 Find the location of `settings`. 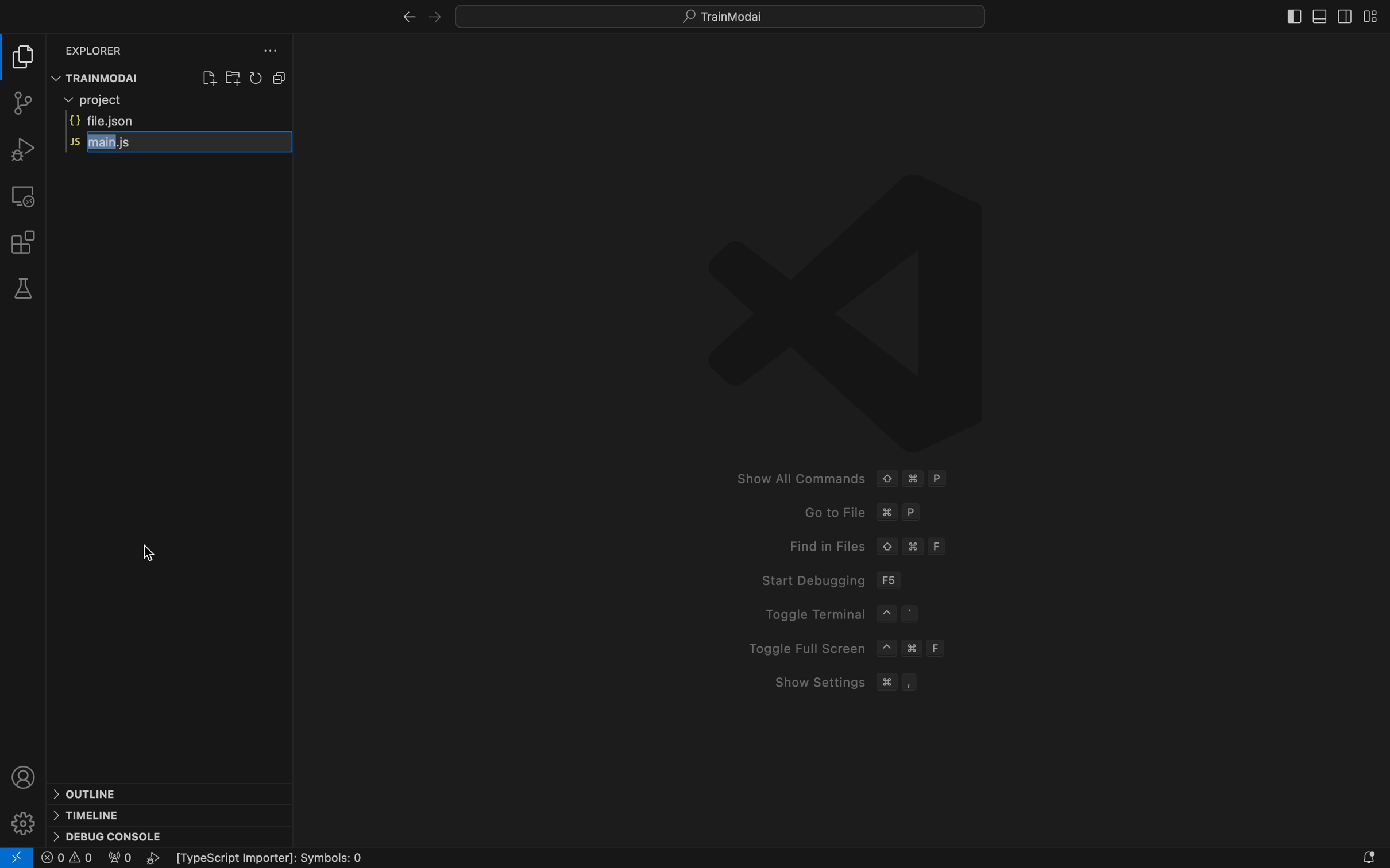

settings is located at coordinates (23, 823).